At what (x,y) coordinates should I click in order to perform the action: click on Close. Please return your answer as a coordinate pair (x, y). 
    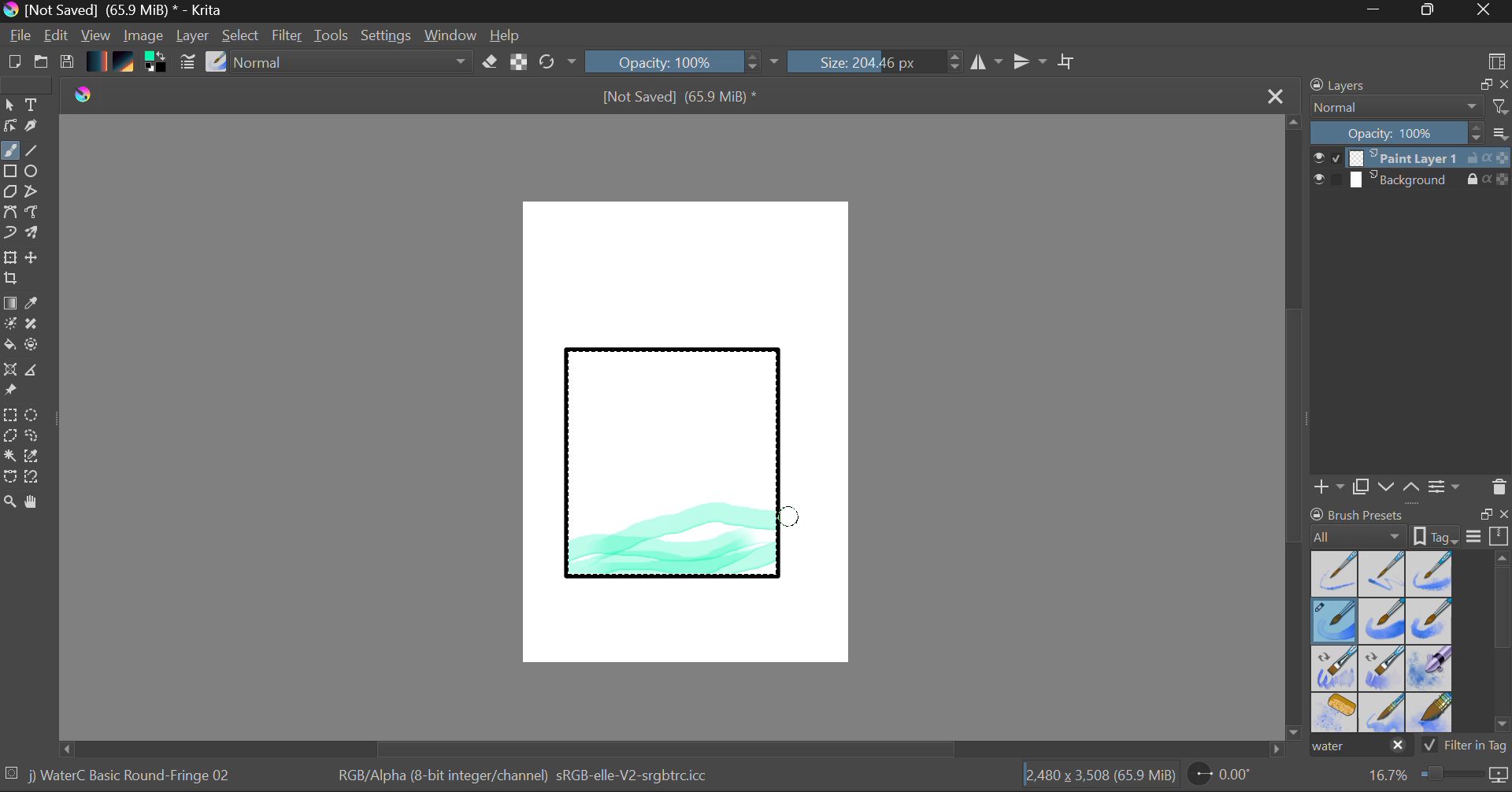
    Looking at the image, I should click on (1277, 95).